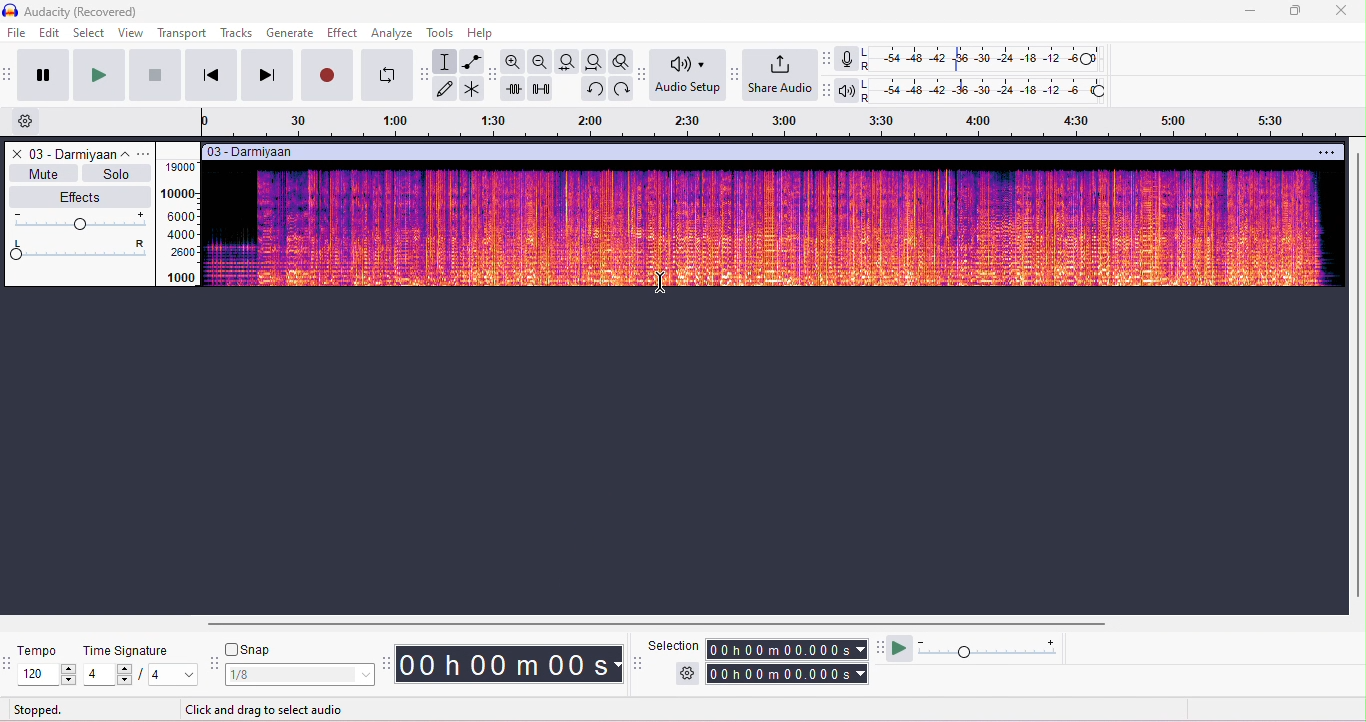  What do you see at coordinates (266, 75) in the screenshot?
I see `next` at bounding box center [266, 75].